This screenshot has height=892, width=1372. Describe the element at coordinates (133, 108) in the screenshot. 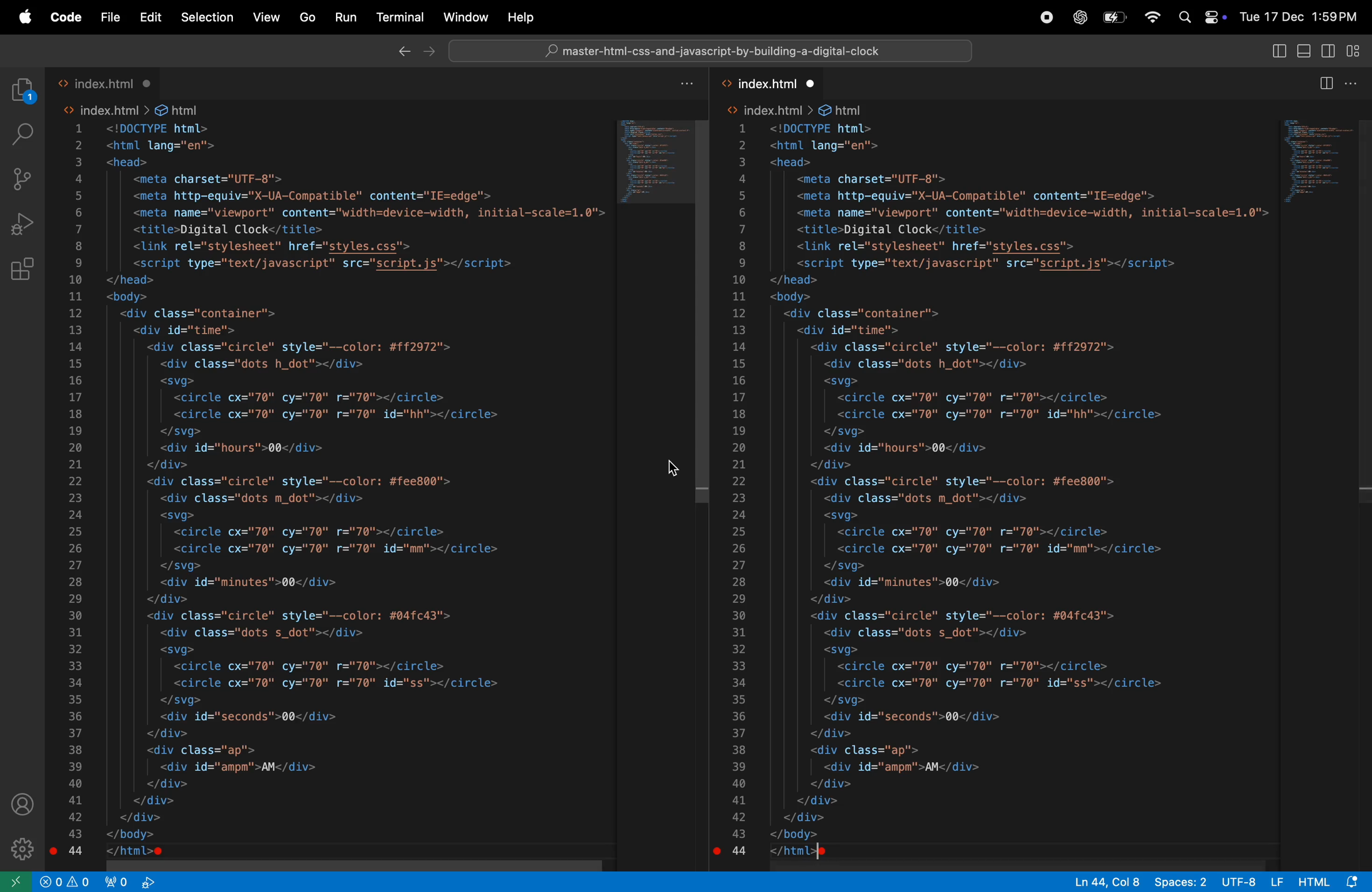

I see `<> index.html > & html` at that location.